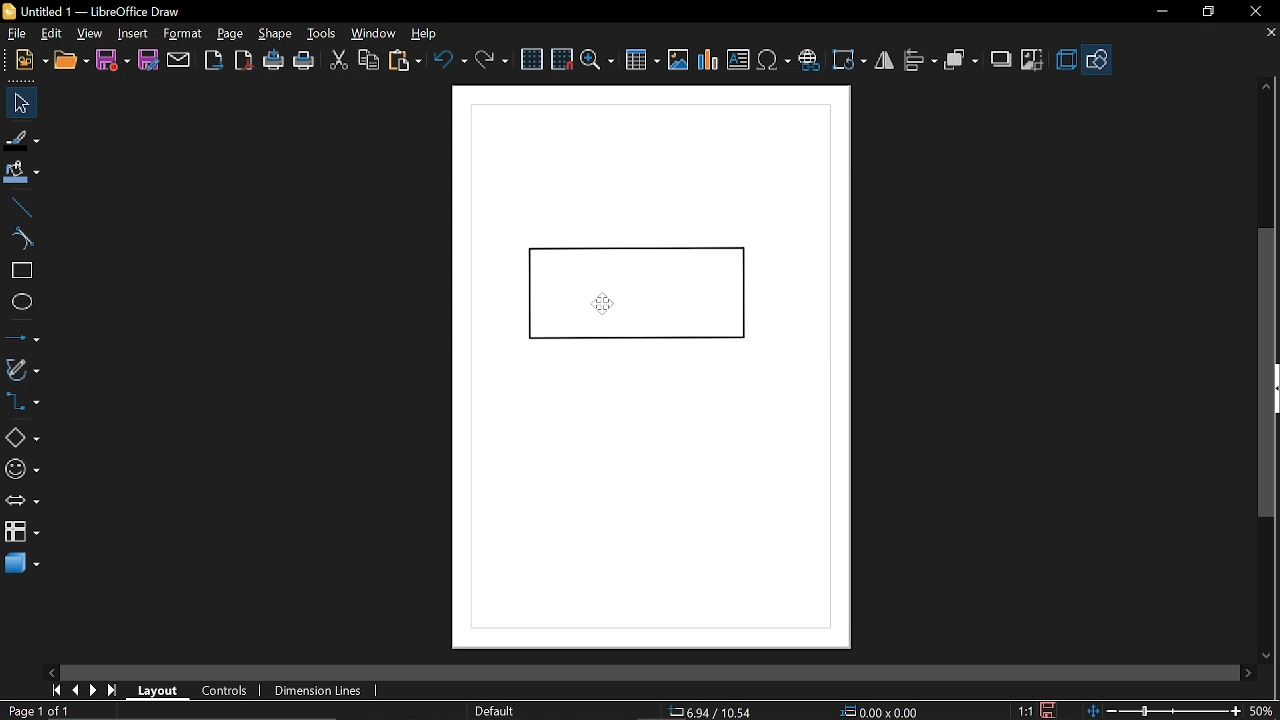  What do you see at coordinates (19, 530) in the screenshot?
I see `flowchart` at bounding box center [19, 530].